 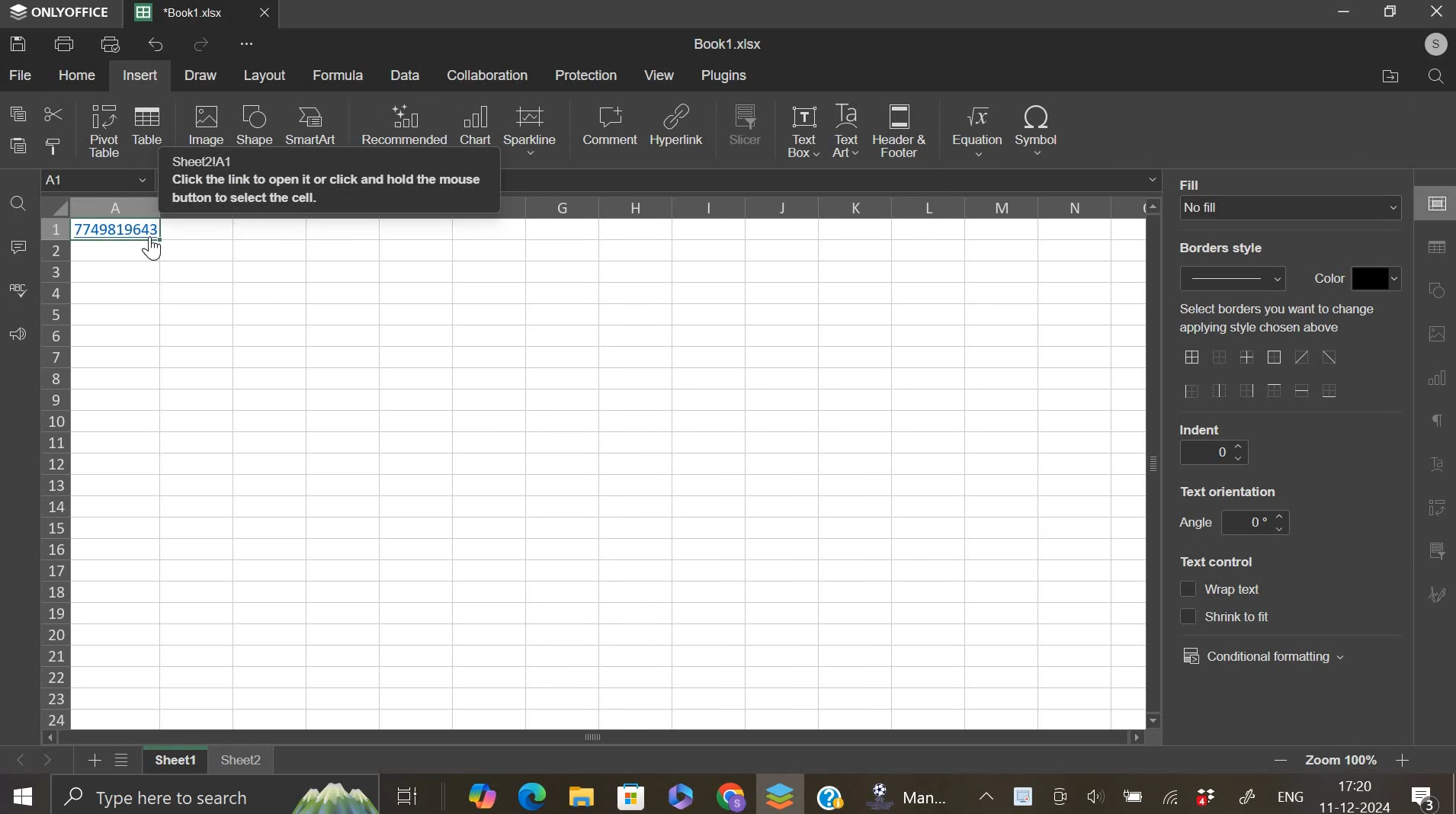 What do you see at coordinates (1433, 390) in the screenshot?
I see `right side bar` at bounding box center [1433, 390].